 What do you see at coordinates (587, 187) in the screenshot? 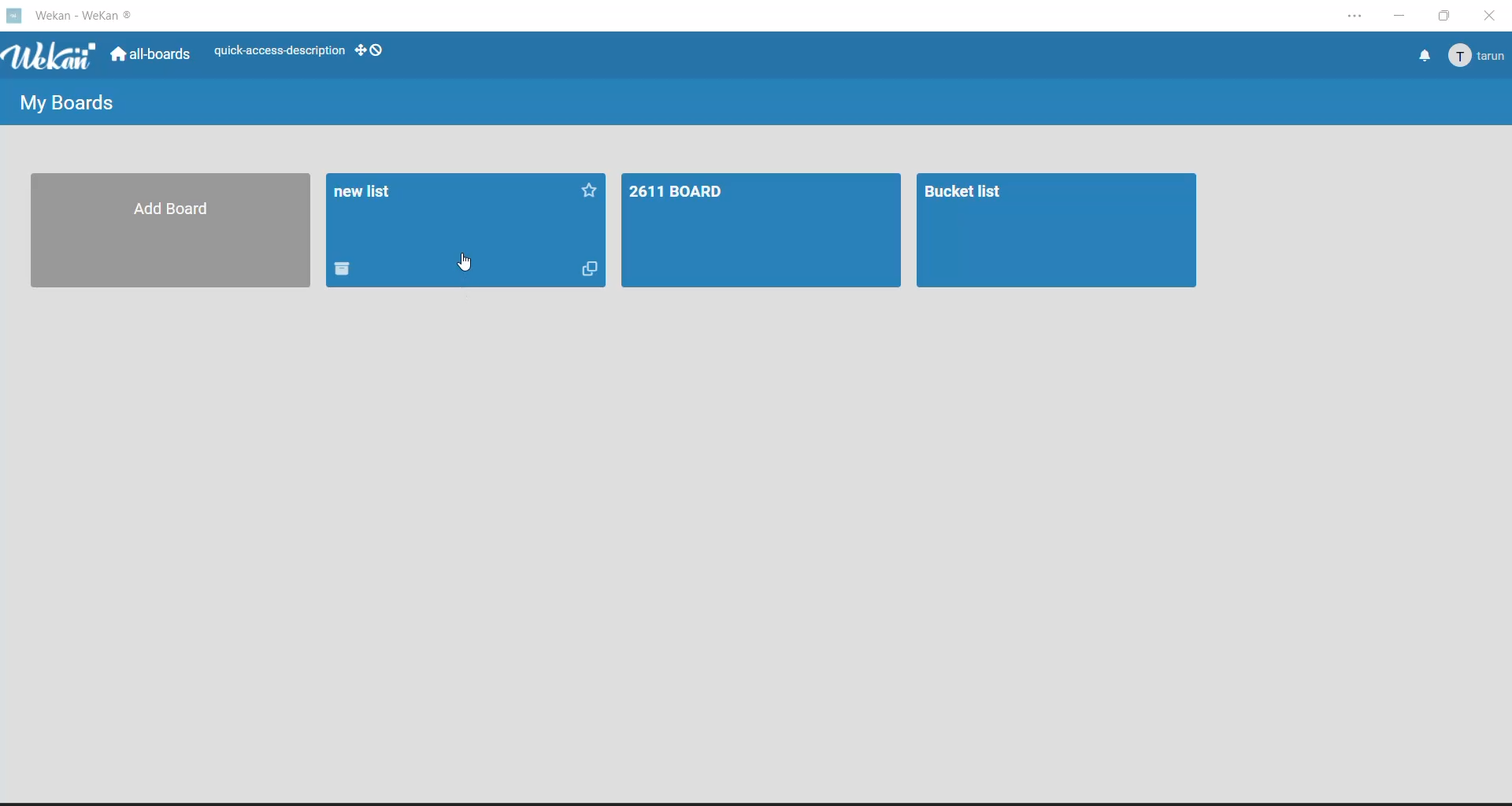
I see `Favorite` at bounding box center [587, 187].